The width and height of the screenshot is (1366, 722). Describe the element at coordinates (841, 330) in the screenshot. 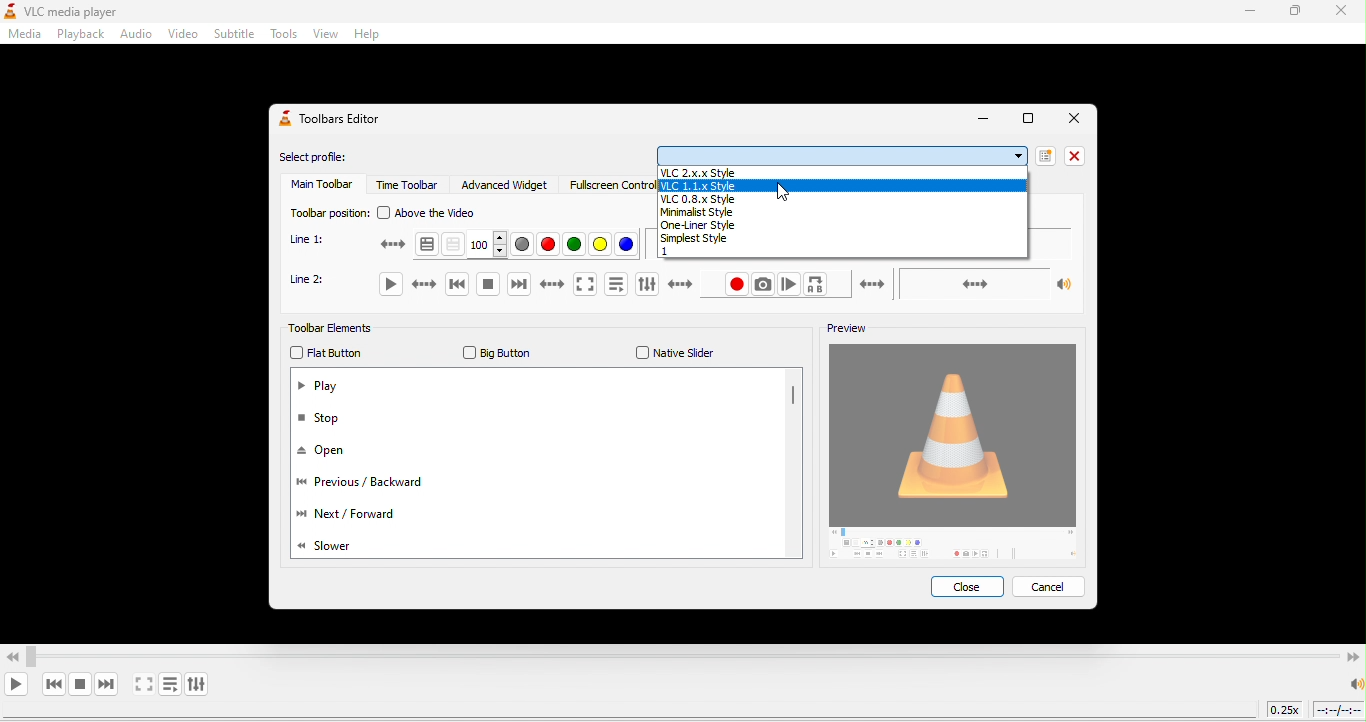

I see `preview` at that location.